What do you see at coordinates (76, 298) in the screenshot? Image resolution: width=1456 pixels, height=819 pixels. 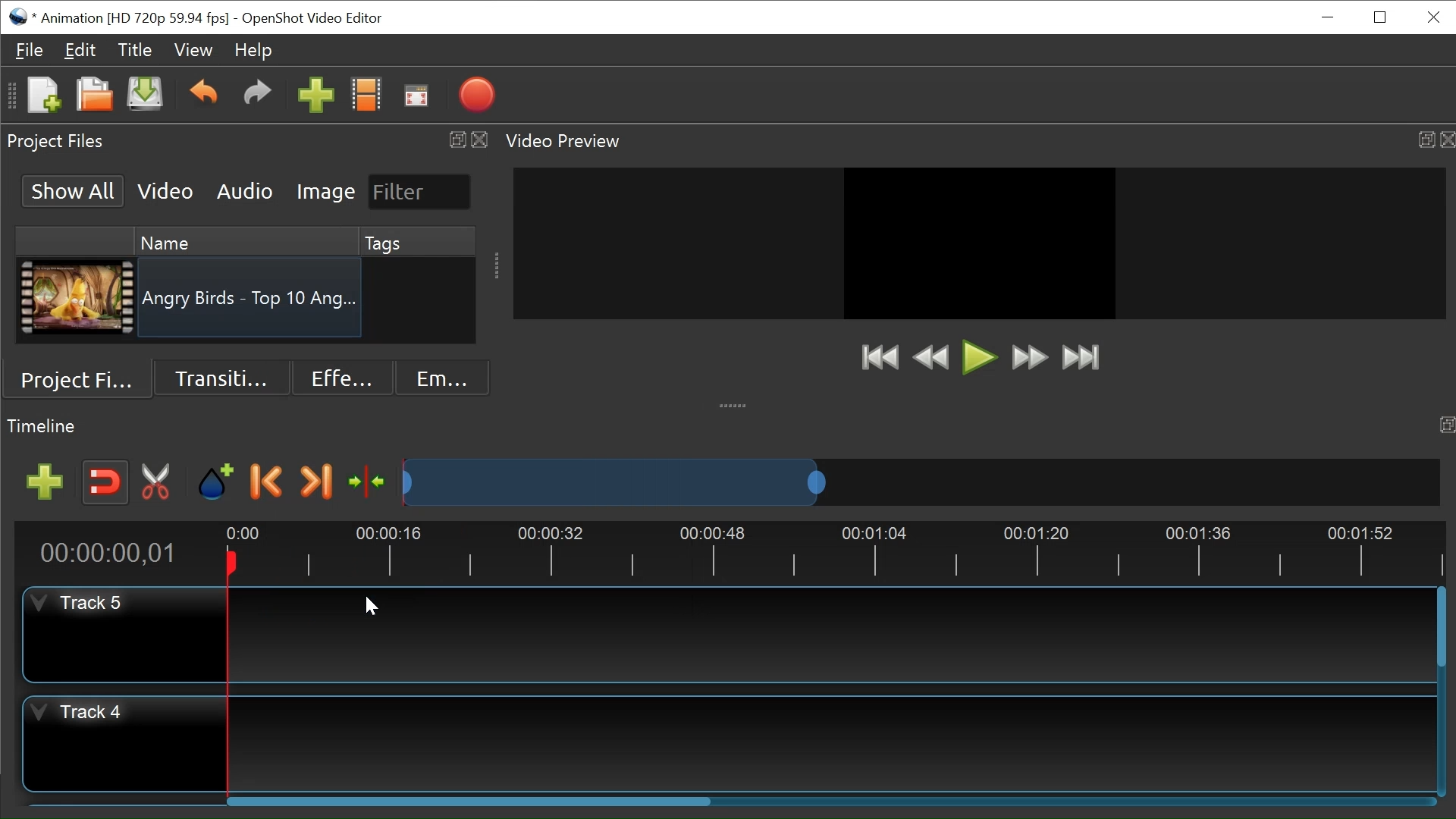 I see `Clip` at bounding box center [76, 298].